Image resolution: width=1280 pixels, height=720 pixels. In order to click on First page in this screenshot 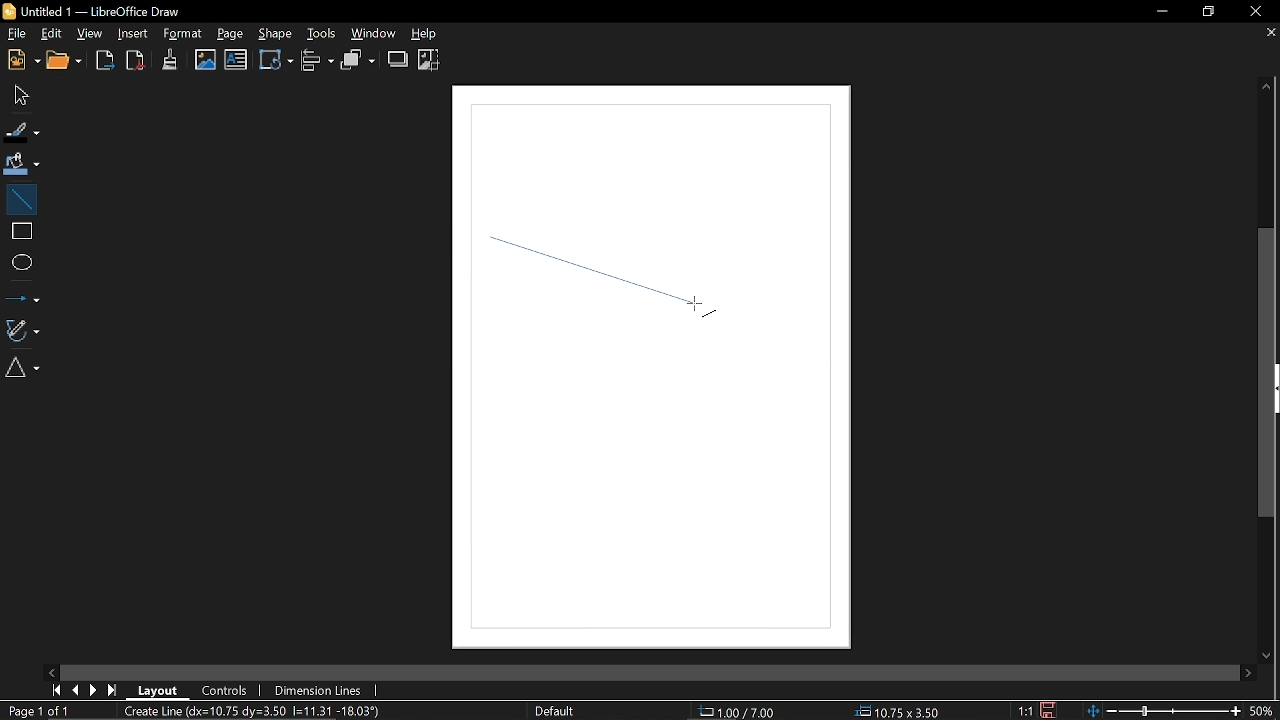, I will do `click(56, 689)`.